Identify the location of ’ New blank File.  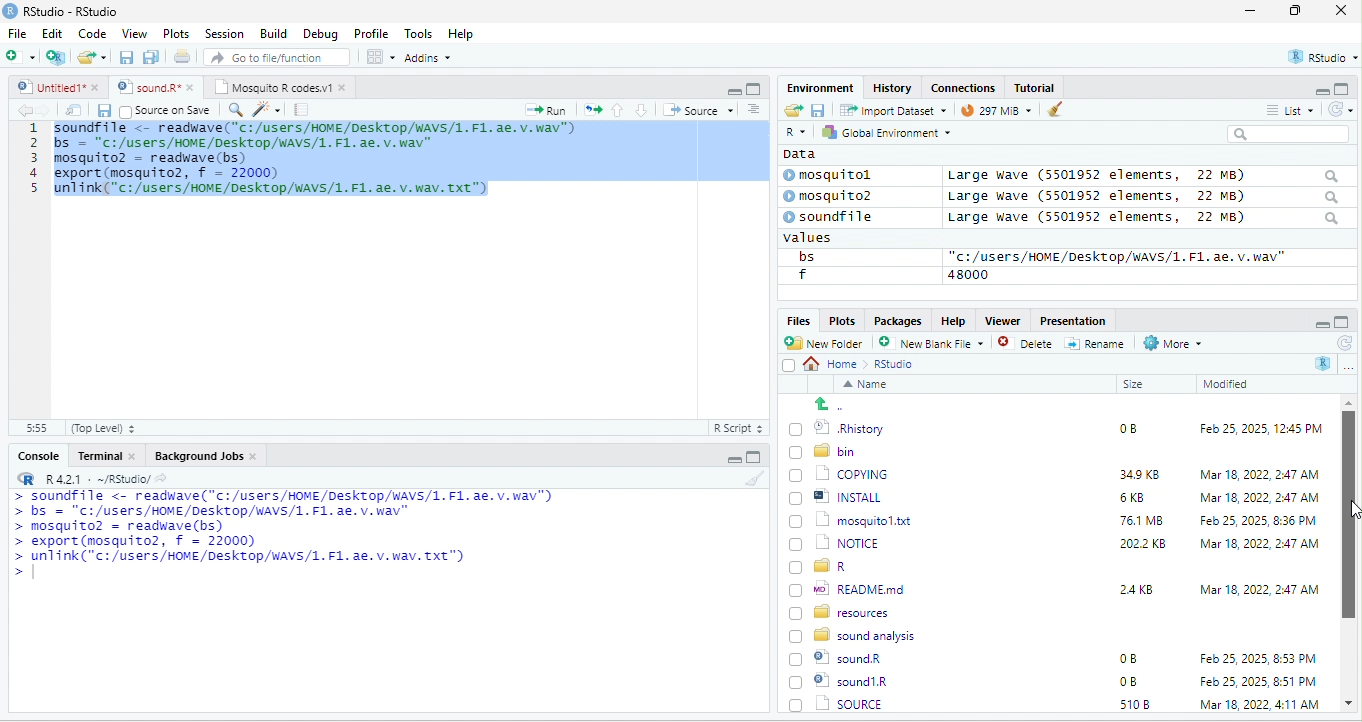
(937, 346).